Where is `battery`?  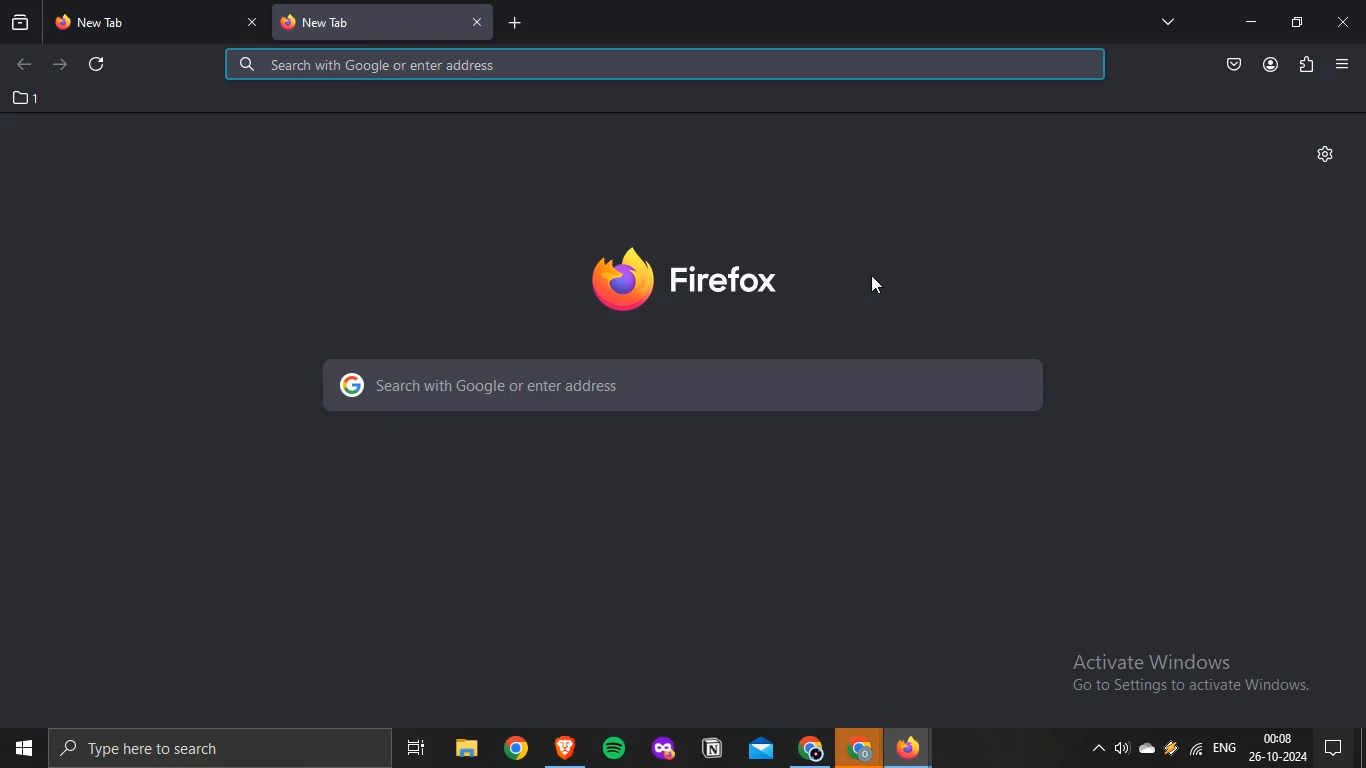 battery is located at coordinates (1169, 754).